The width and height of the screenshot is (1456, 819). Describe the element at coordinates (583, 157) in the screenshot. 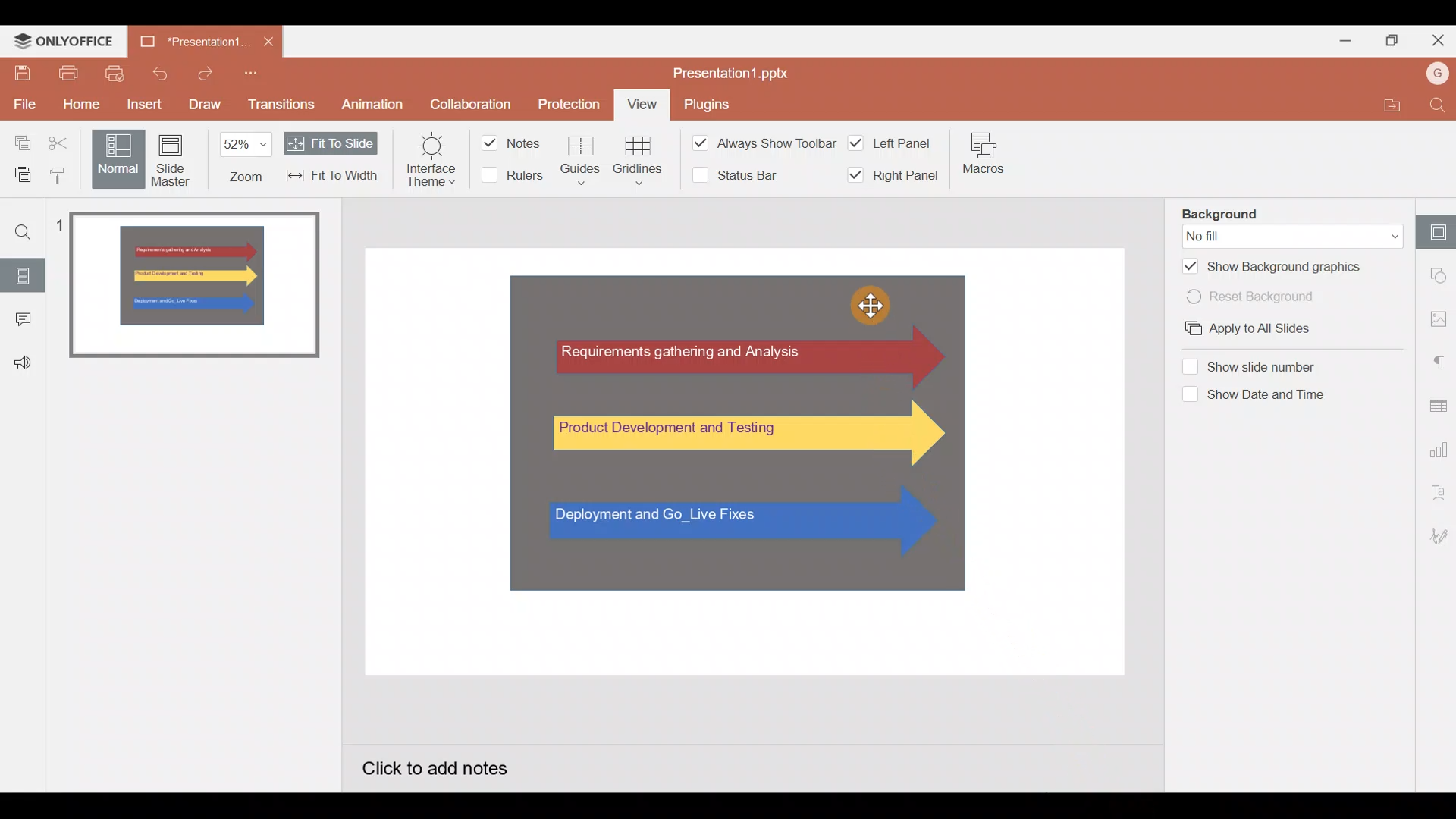

I see `Guides` at that location.